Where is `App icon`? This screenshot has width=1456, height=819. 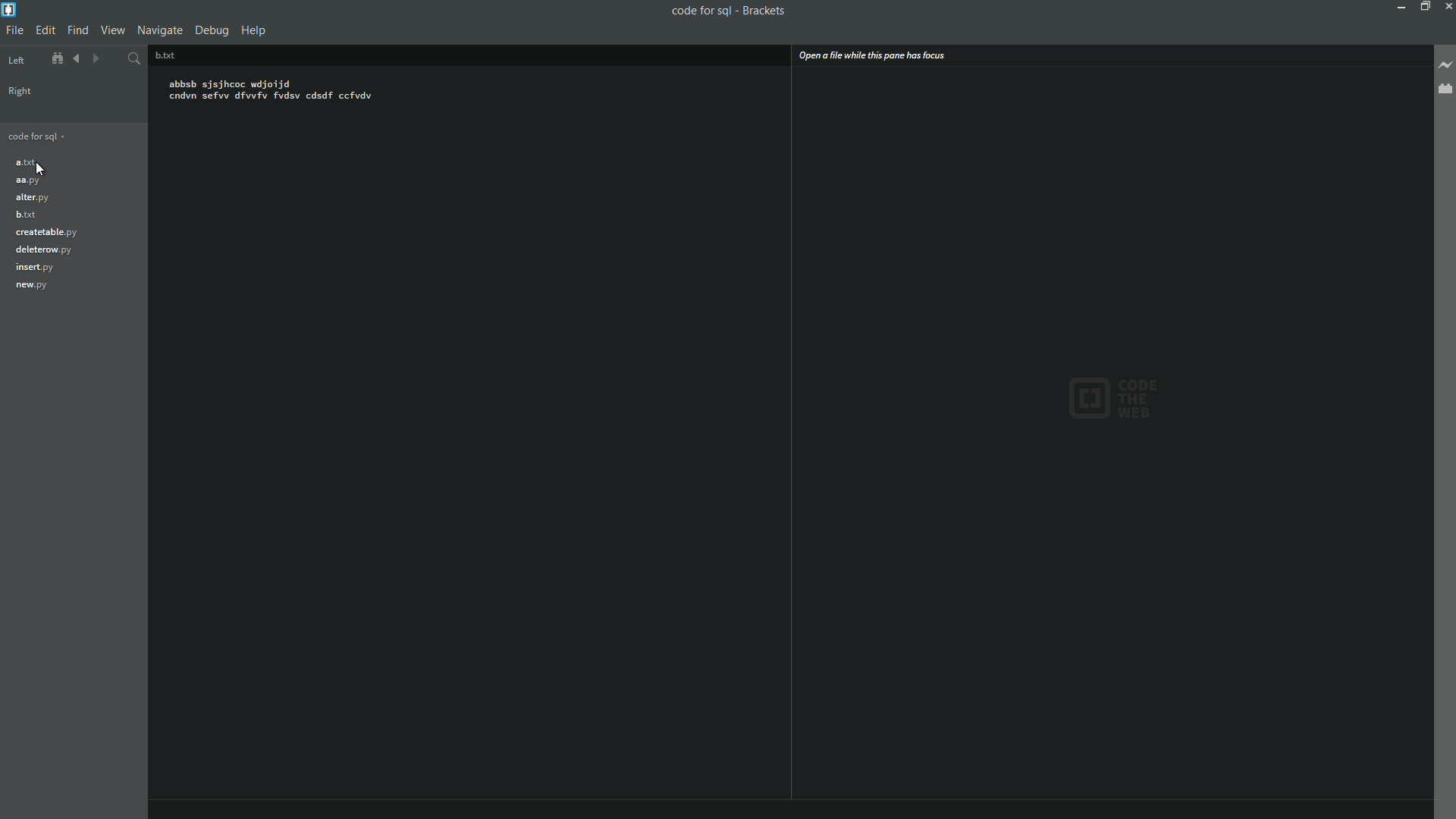 App icon is located at coordinates (9, 8).